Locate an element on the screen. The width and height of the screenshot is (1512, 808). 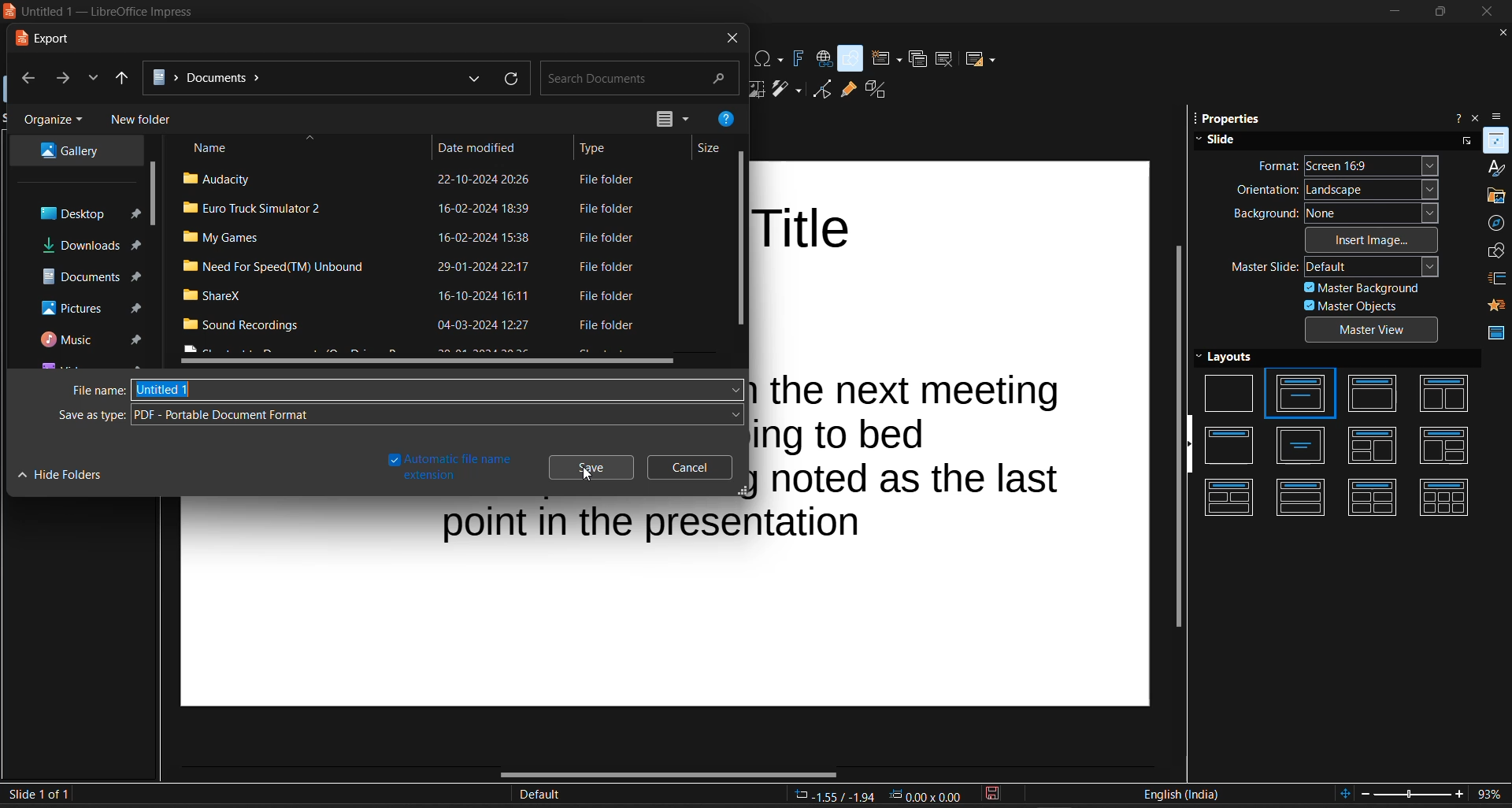
side 1 of 1 is located at coordinates (42, 794).